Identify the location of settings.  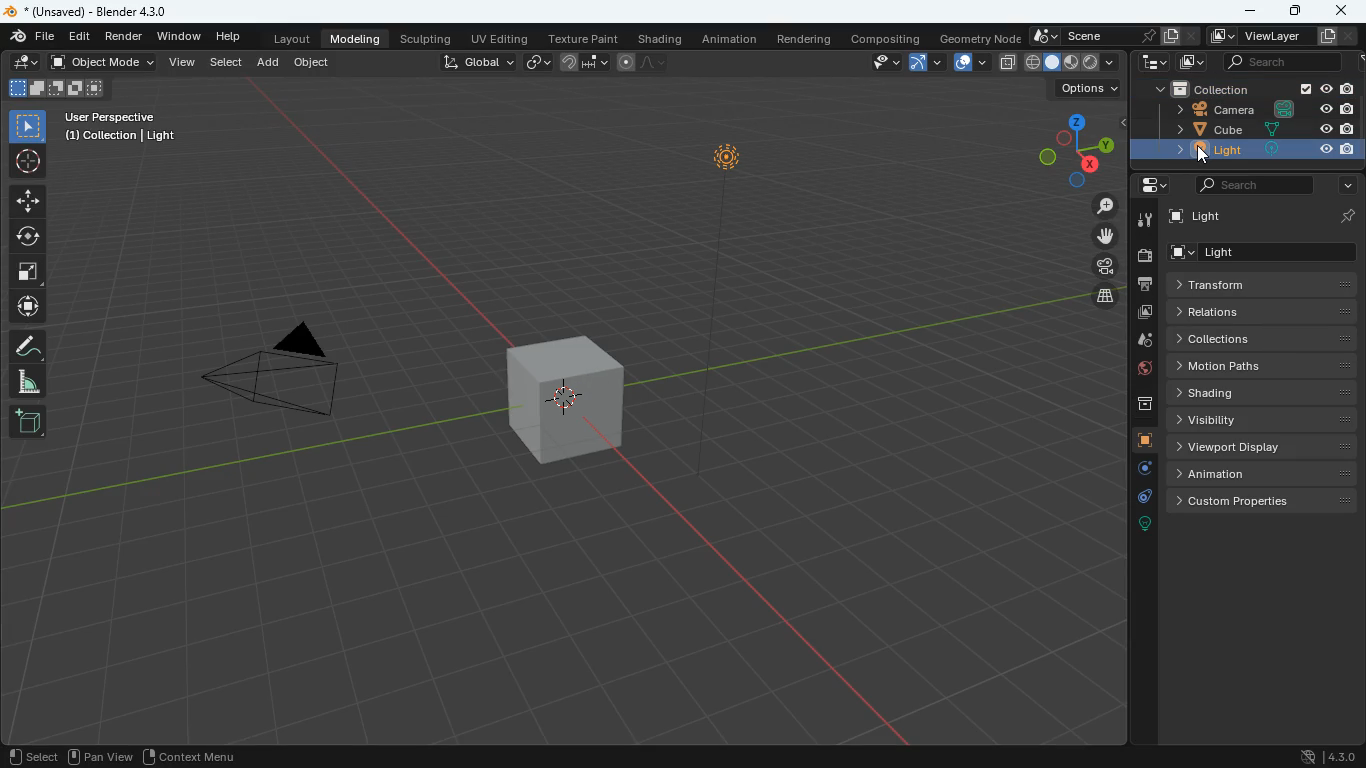
(1153, 185).